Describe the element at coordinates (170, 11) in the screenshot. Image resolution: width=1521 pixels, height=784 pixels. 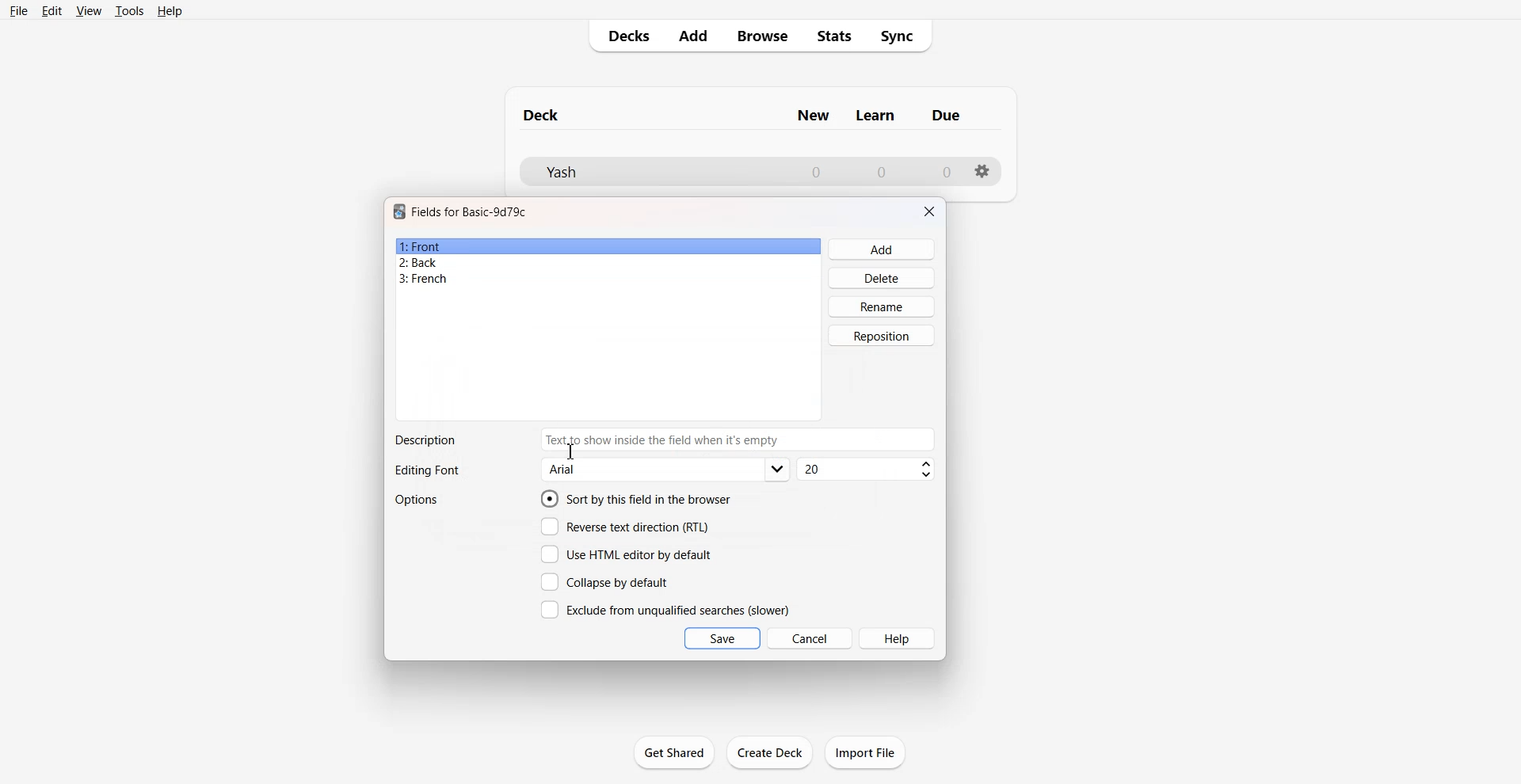
I see `Help` at that location.